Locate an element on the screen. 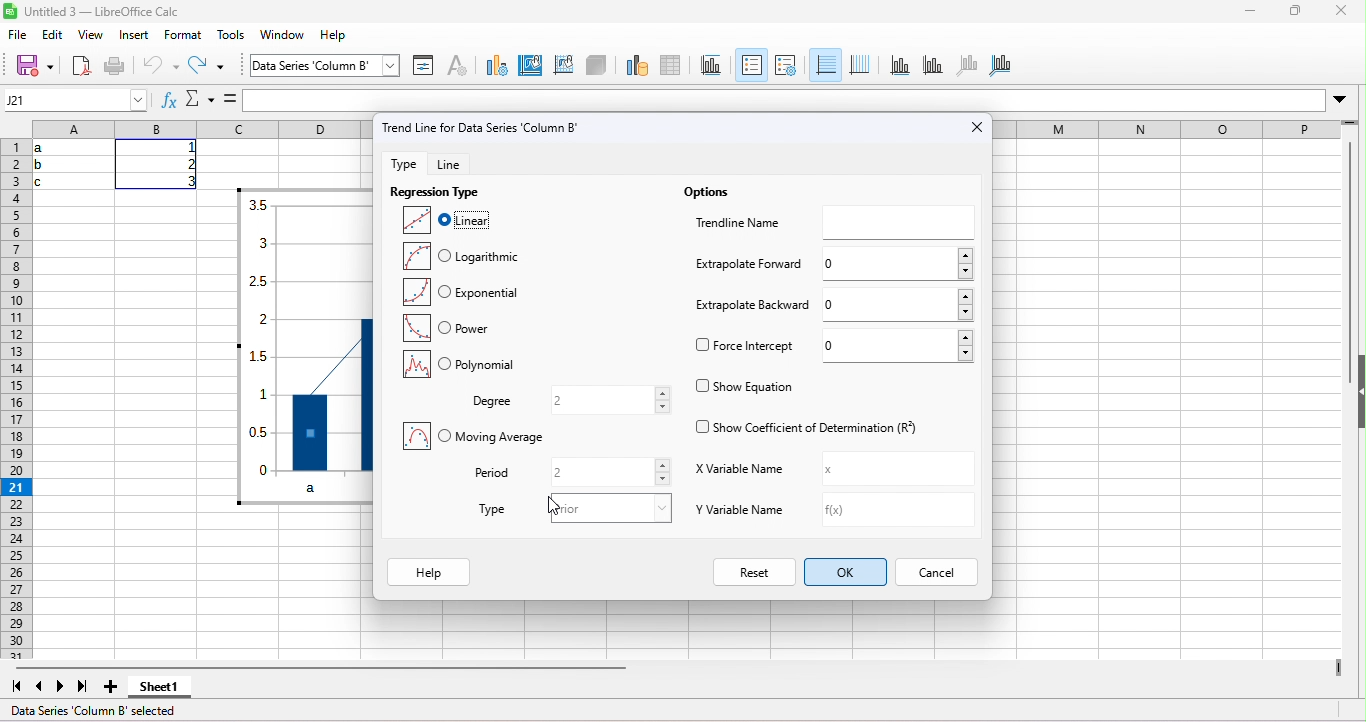 Image resolution: width=1366 pixels, height=722 pixels. new sheet is located at coordinates (117, 689).